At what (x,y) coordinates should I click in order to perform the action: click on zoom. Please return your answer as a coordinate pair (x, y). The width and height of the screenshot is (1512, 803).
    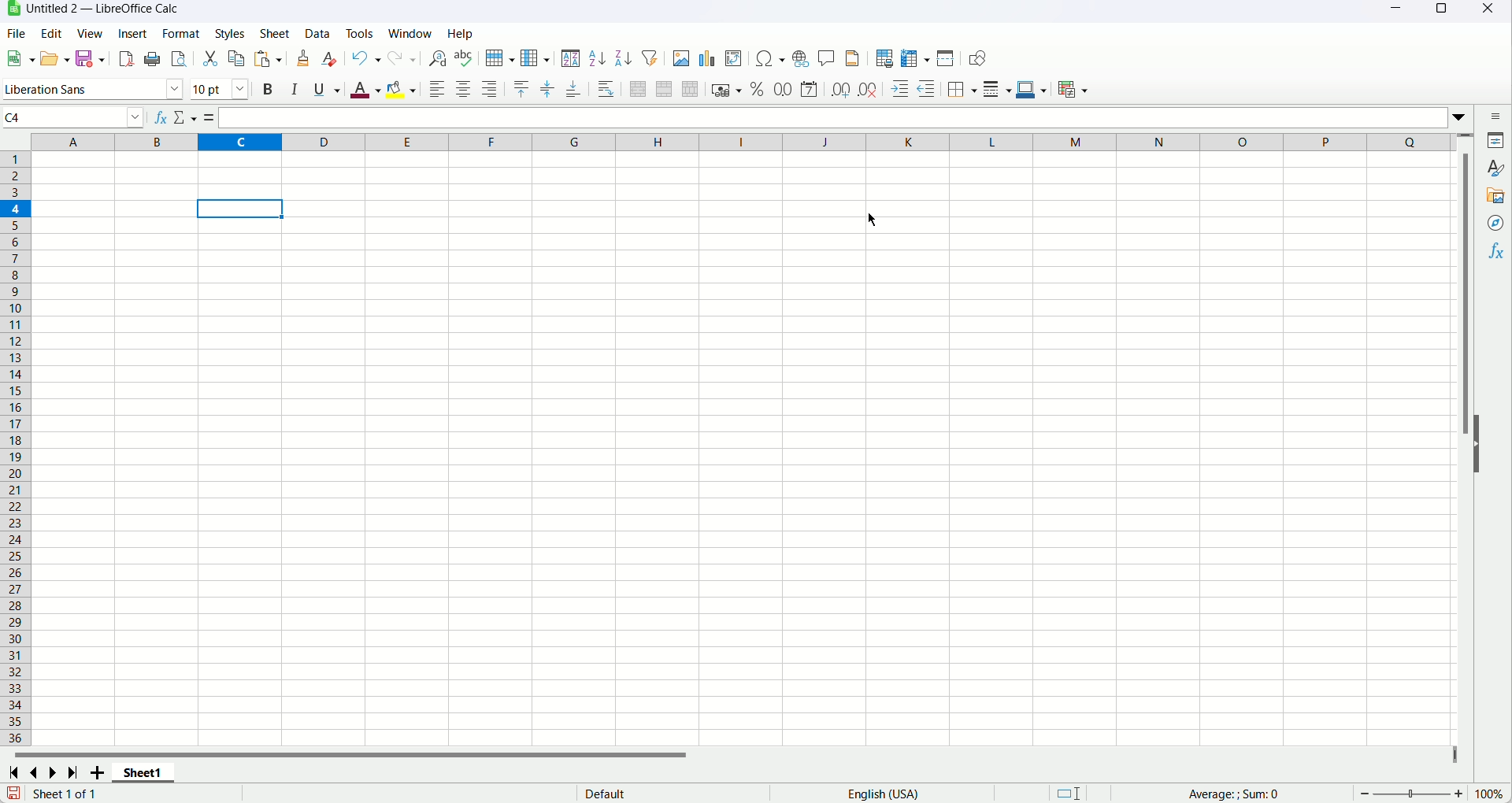
    Looking at the image, I should click on (1410, 794).